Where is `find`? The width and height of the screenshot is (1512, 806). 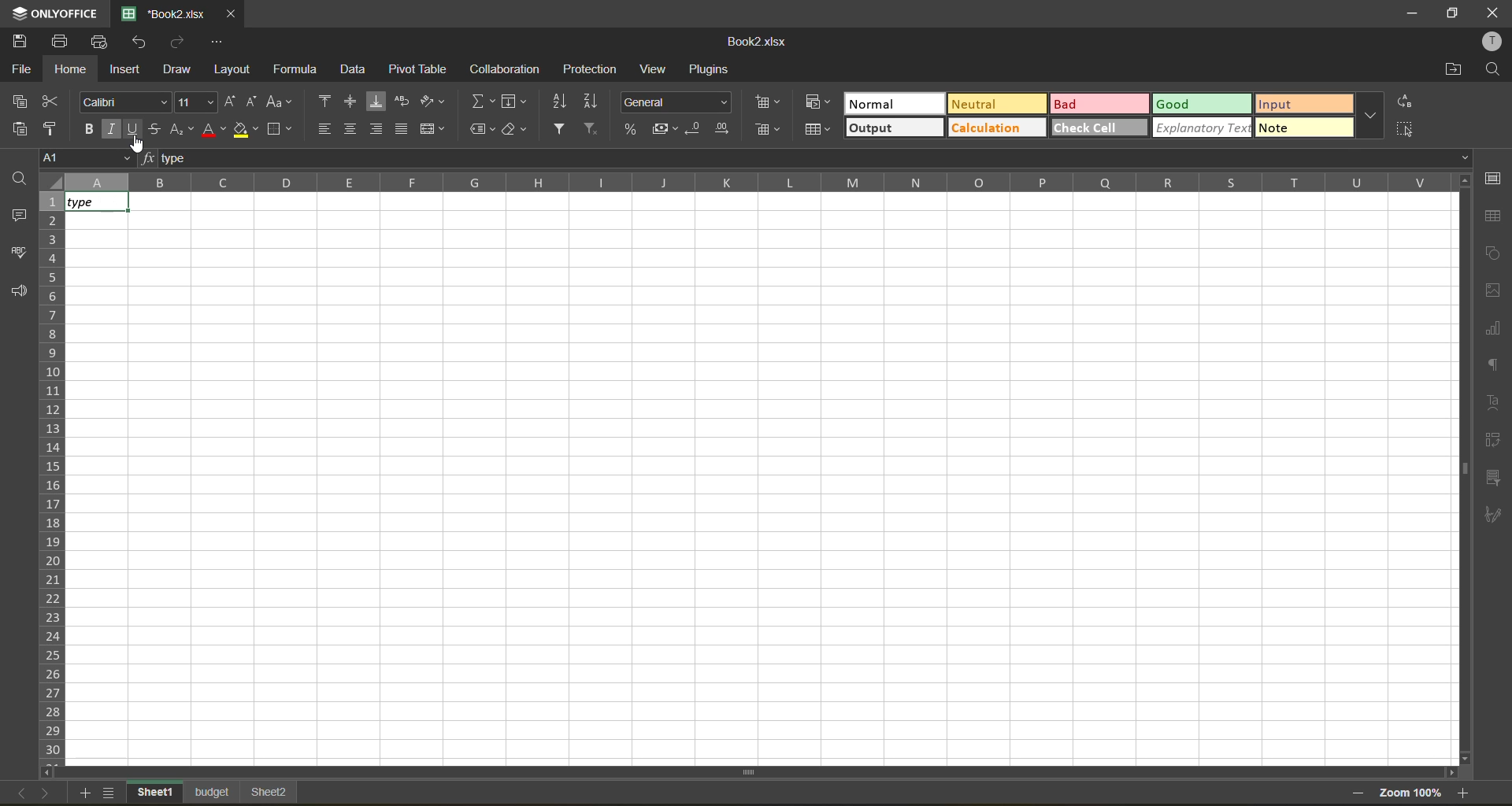 find is located at coordinates (1492, 71).